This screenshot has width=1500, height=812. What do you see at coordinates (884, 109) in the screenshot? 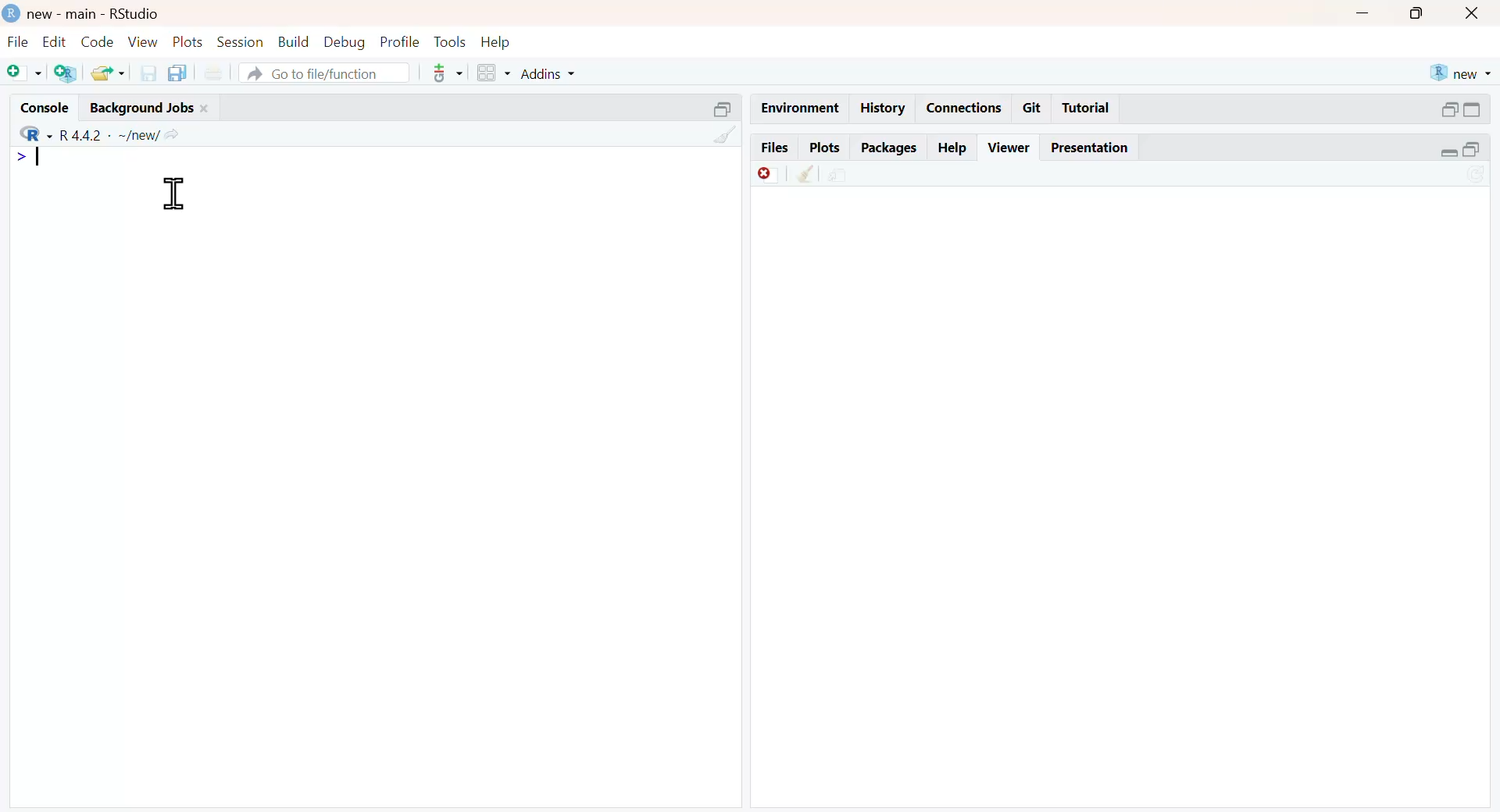
I see `history` at bounding box center [884, 109].